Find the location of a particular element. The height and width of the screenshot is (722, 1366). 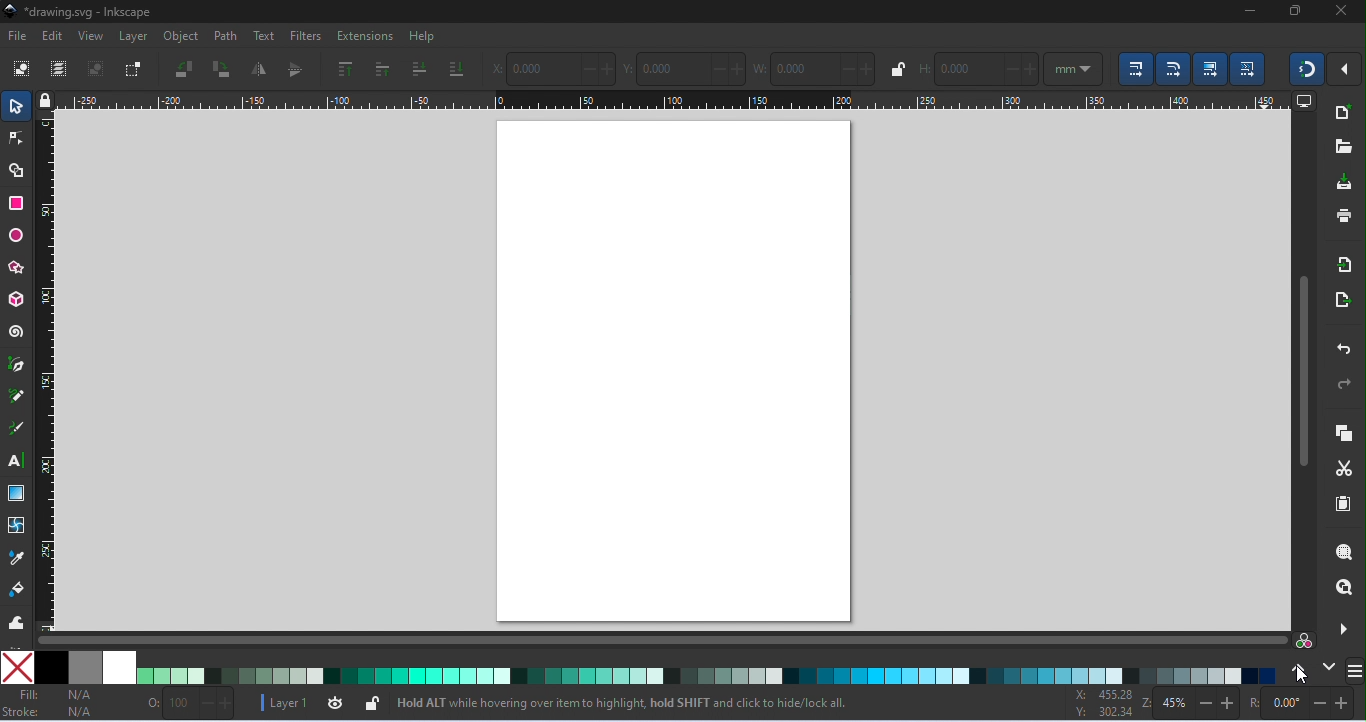

shape builder is located at coordinates (16, 170).